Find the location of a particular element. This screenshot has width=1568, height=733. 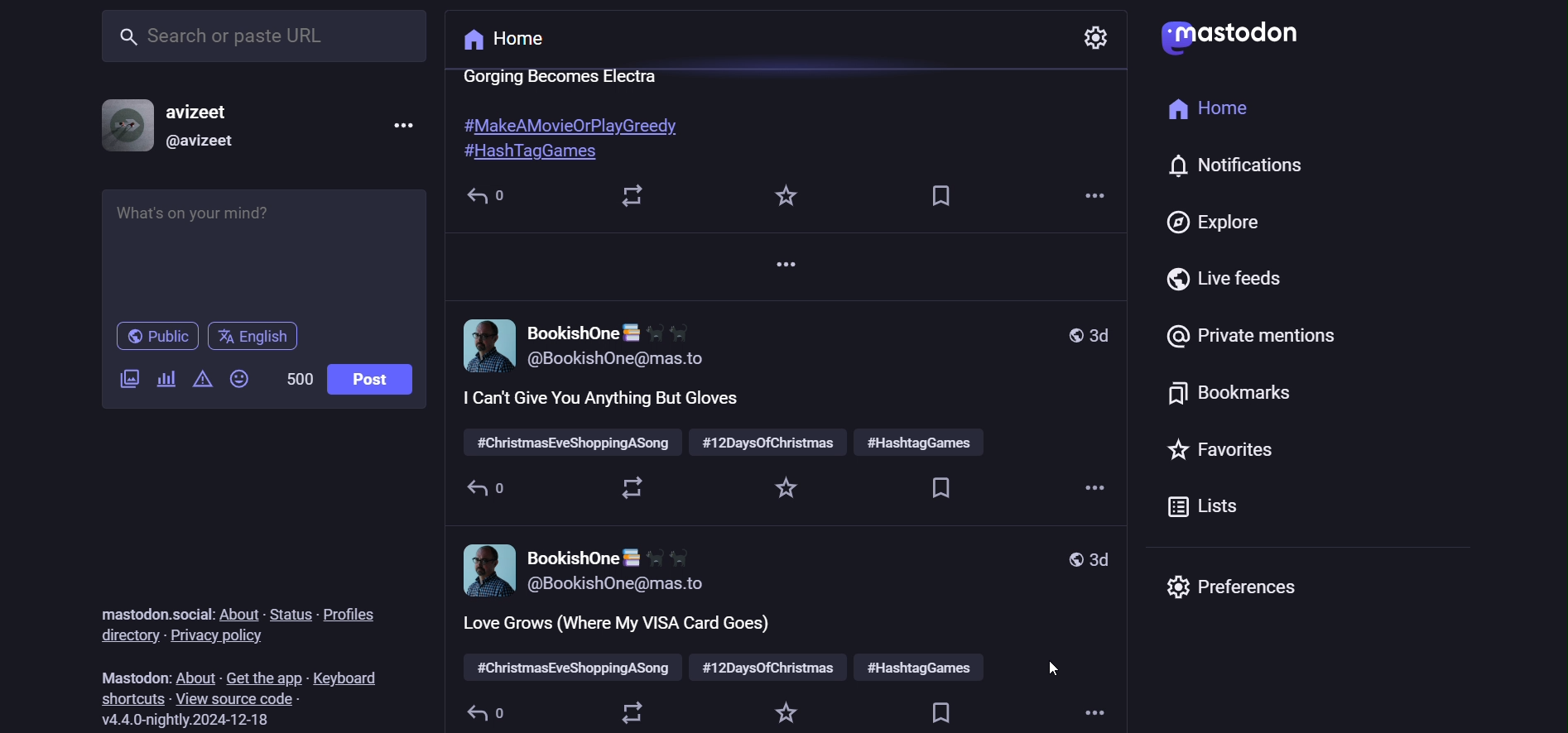

favorite is located at coordinates (780, 195).